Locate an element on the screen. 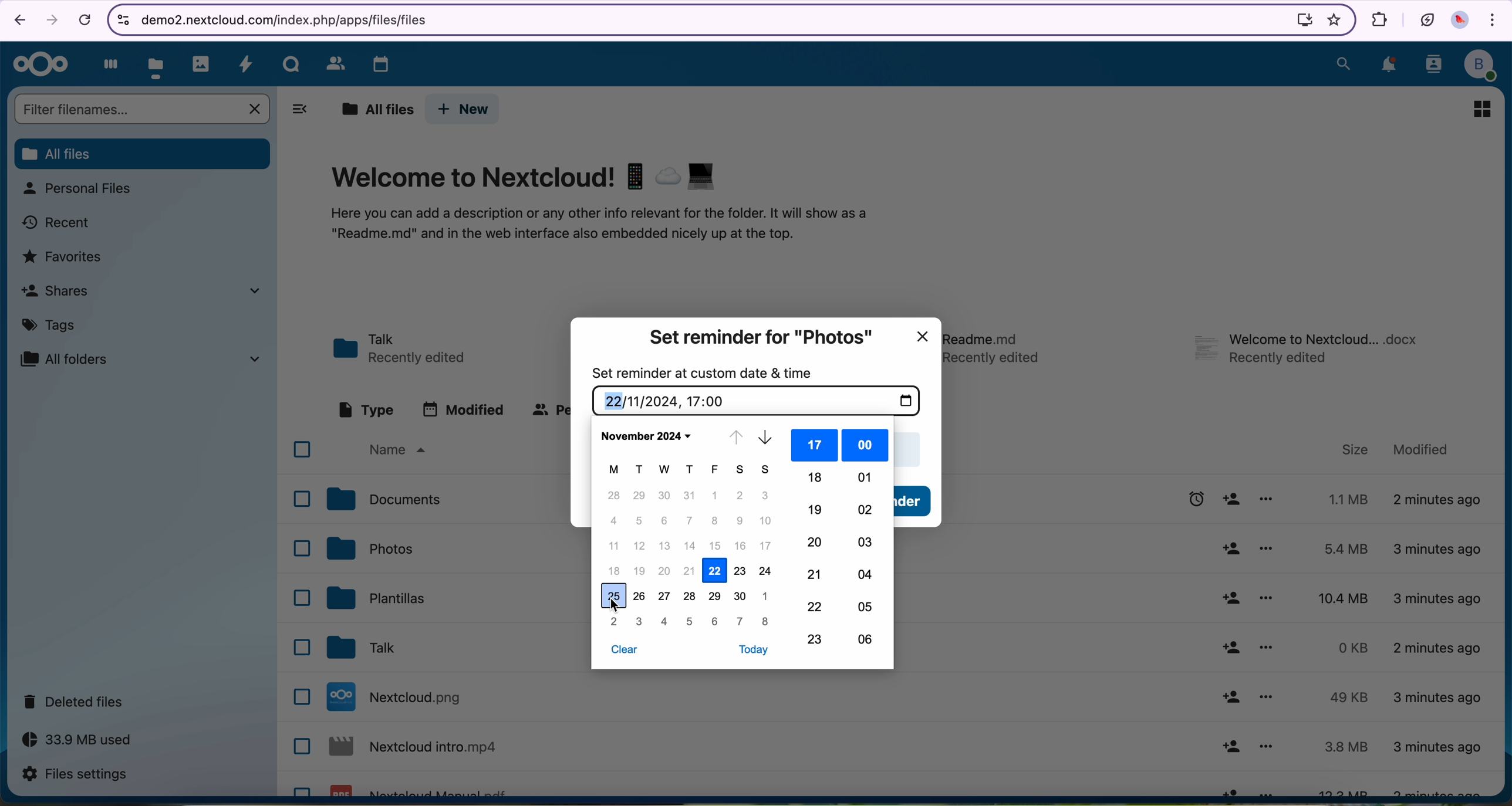  templates is located at coordinates (379, 600).